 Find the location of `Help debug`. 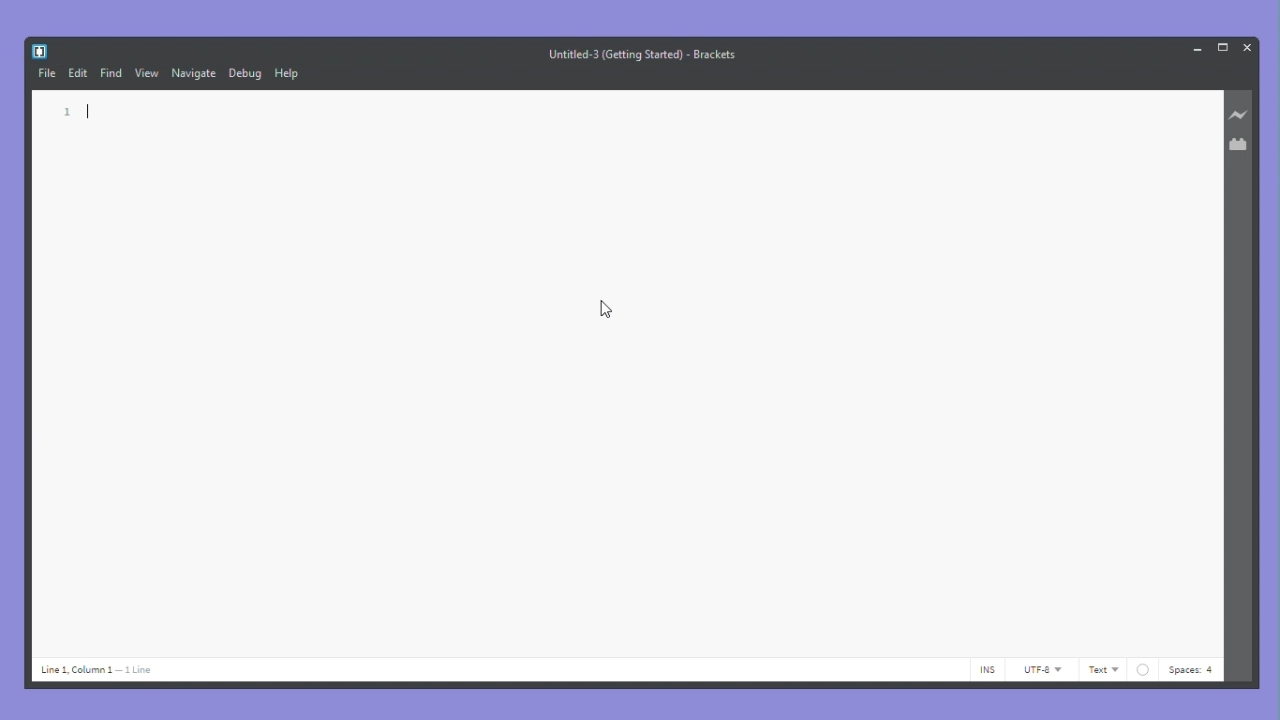

Help debug is located at coordinates (289, 75).